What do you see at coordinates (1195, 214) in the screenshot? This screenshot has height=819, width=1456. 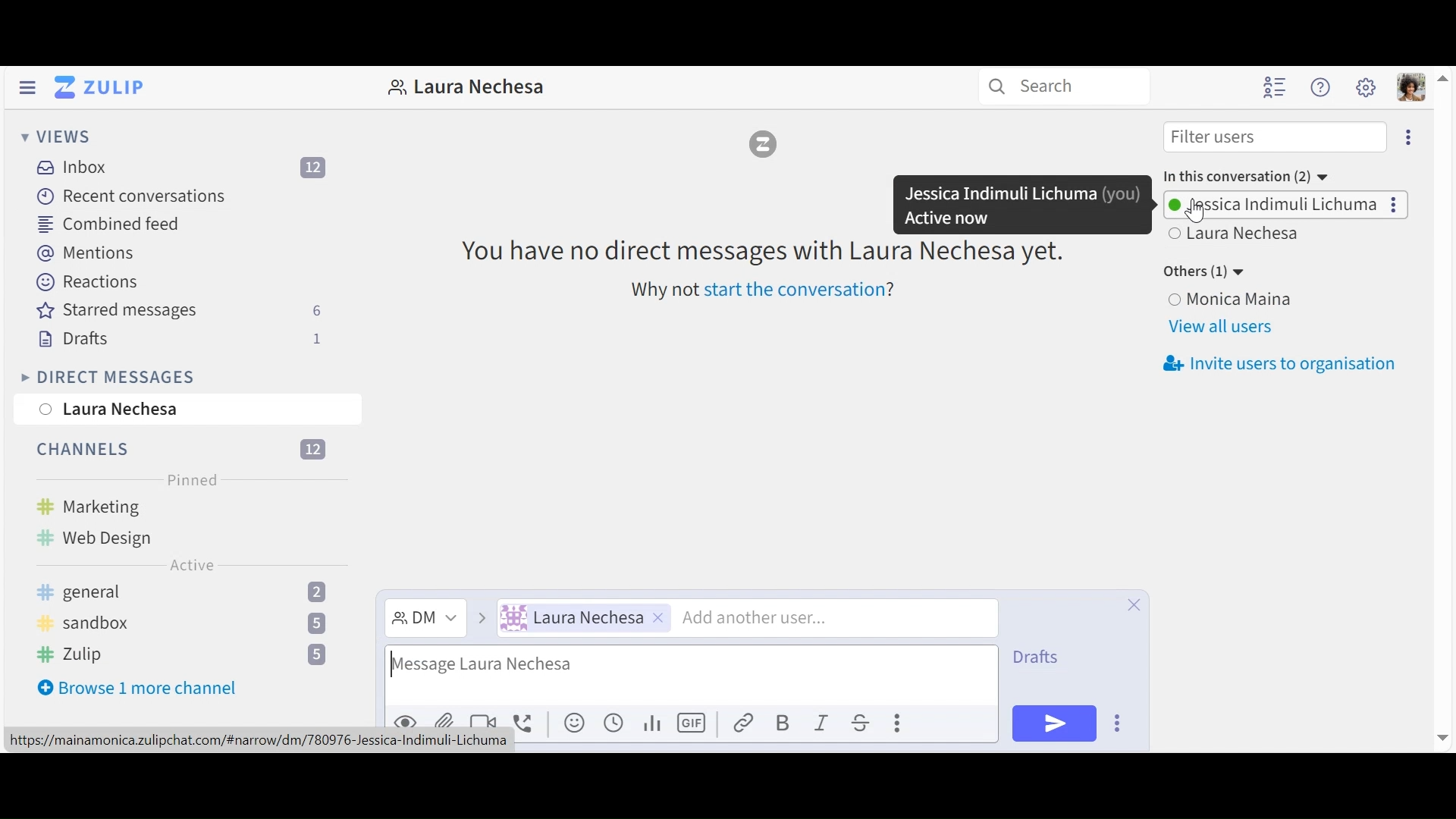 I see `cursor` at bounding box center [1195, 214].